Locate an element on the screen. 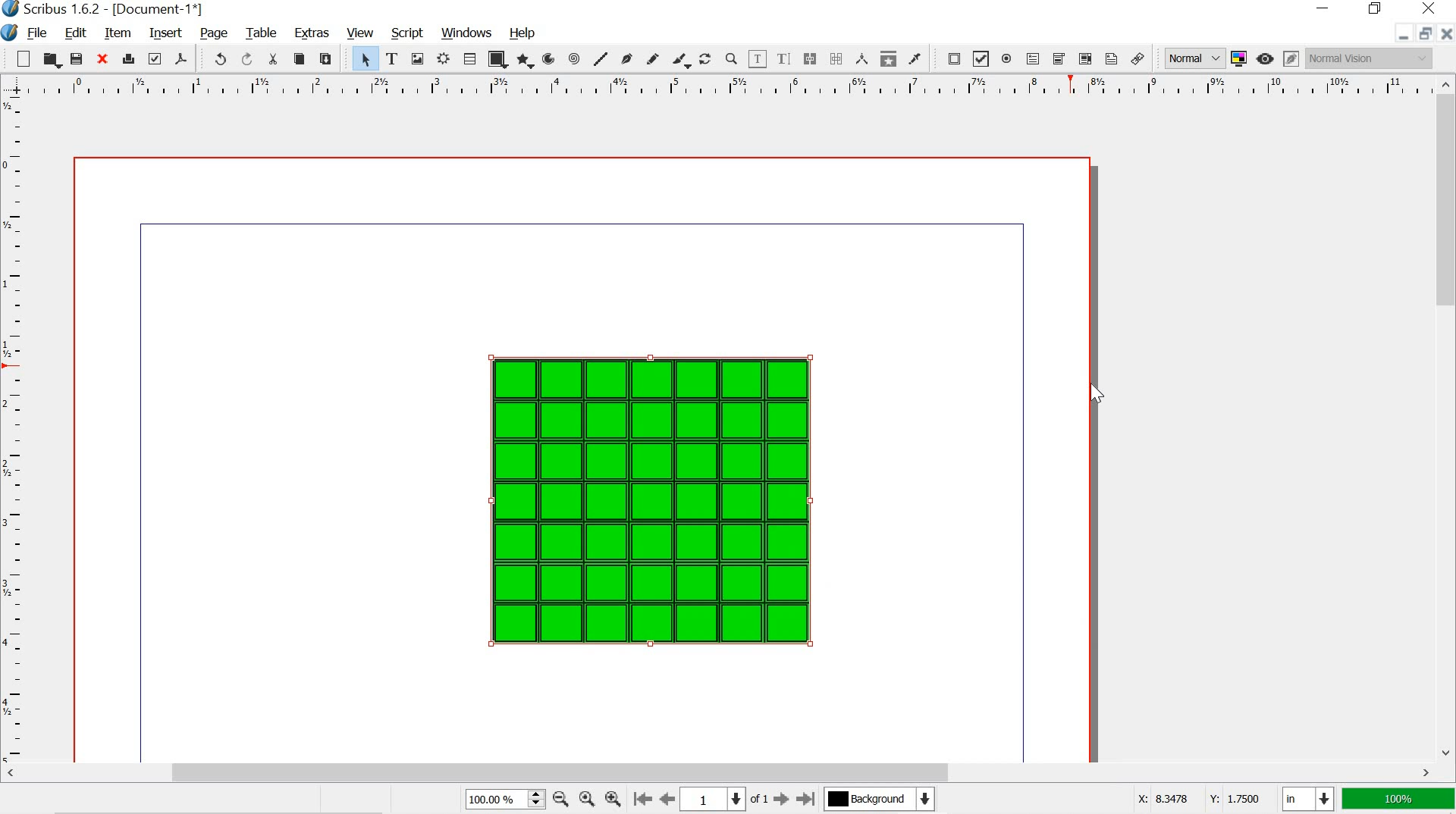 This screenshot has width=1456, height=814. zoom in is located at coordinates (613, 798).